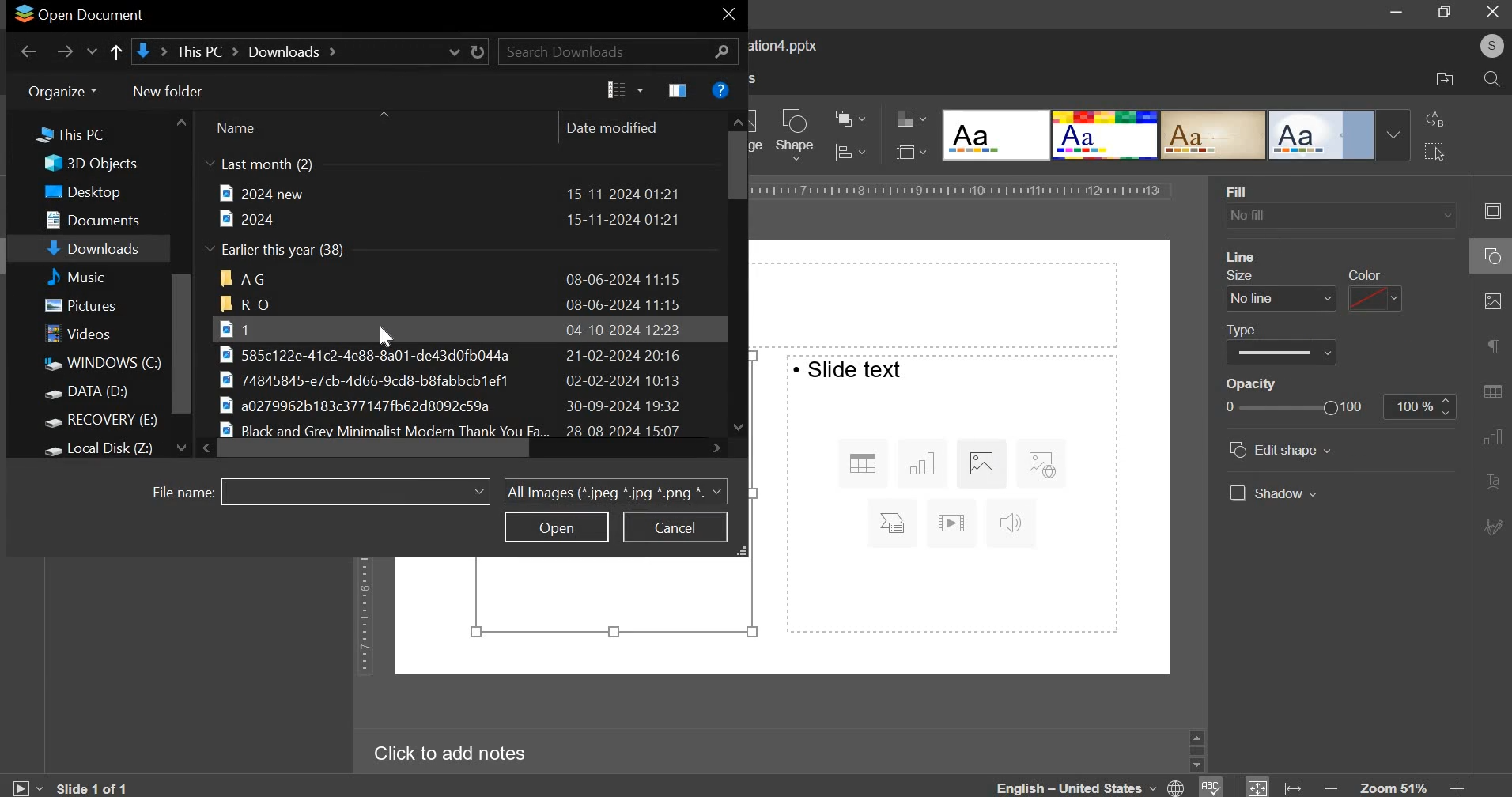 The width and height of the screenshot is (1512, 797). Describe the element at coordinates (467, 380) in the screenshot. I see `image file` at that location.